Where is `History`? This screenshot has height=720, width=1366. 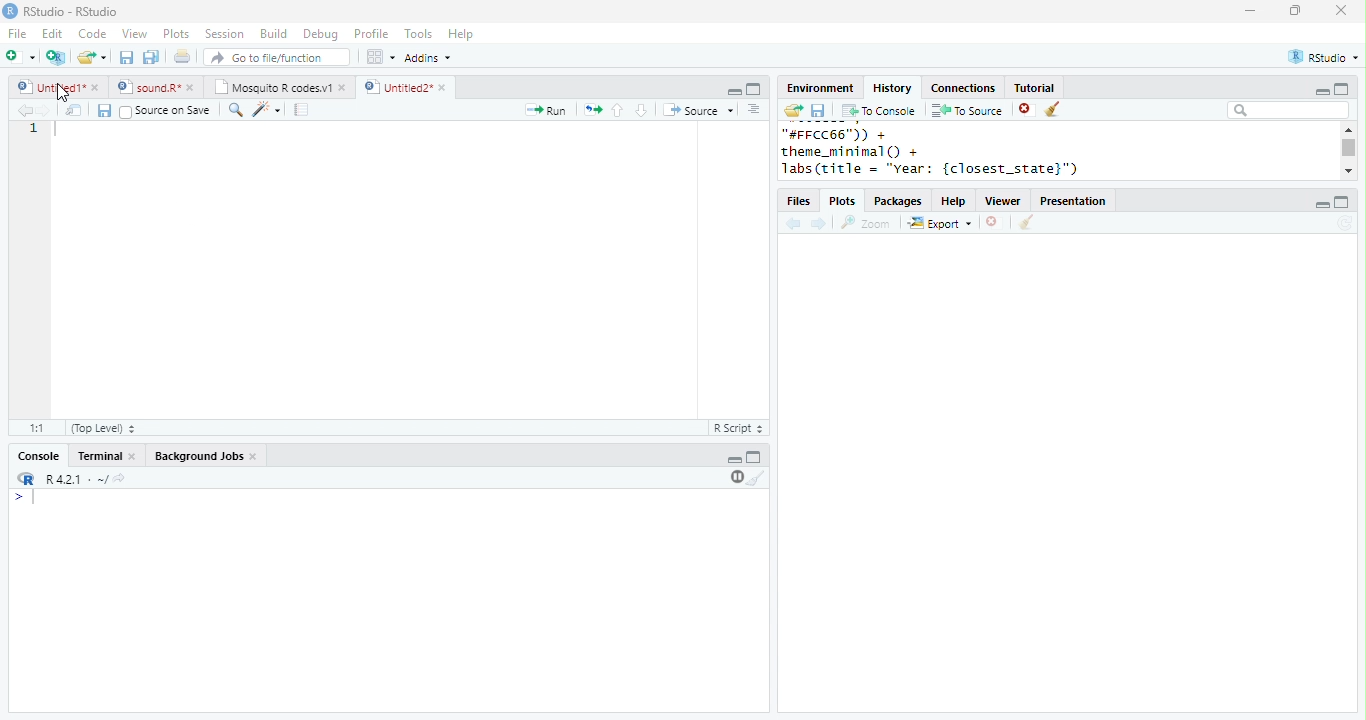
History is located at coordinates (892, 88).